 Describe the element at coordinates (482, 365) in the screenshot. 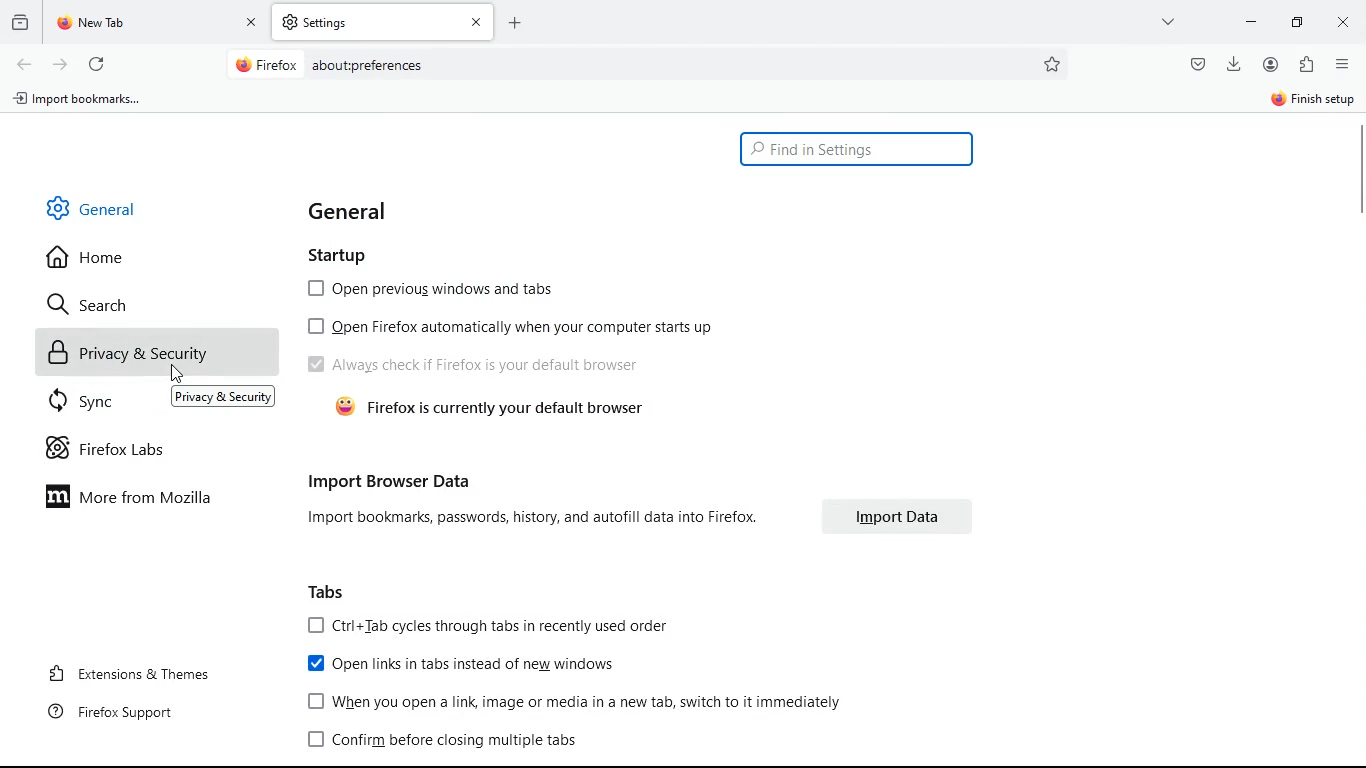

I see `Always check if Firefox is your default browser ` at that location.